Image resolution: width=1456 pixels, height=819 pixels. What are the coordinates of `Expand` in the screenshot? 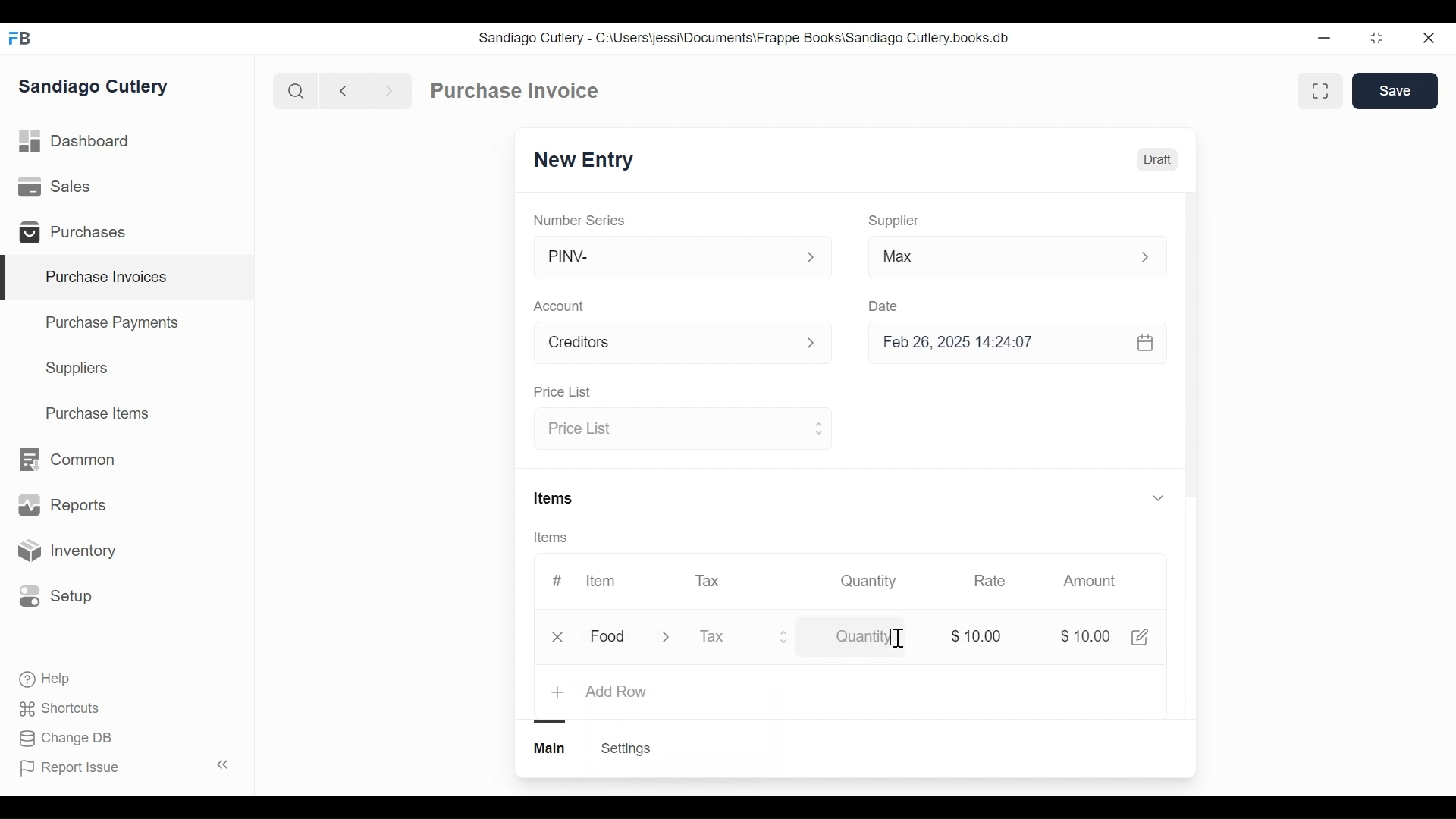 It's located at (1157, 497).